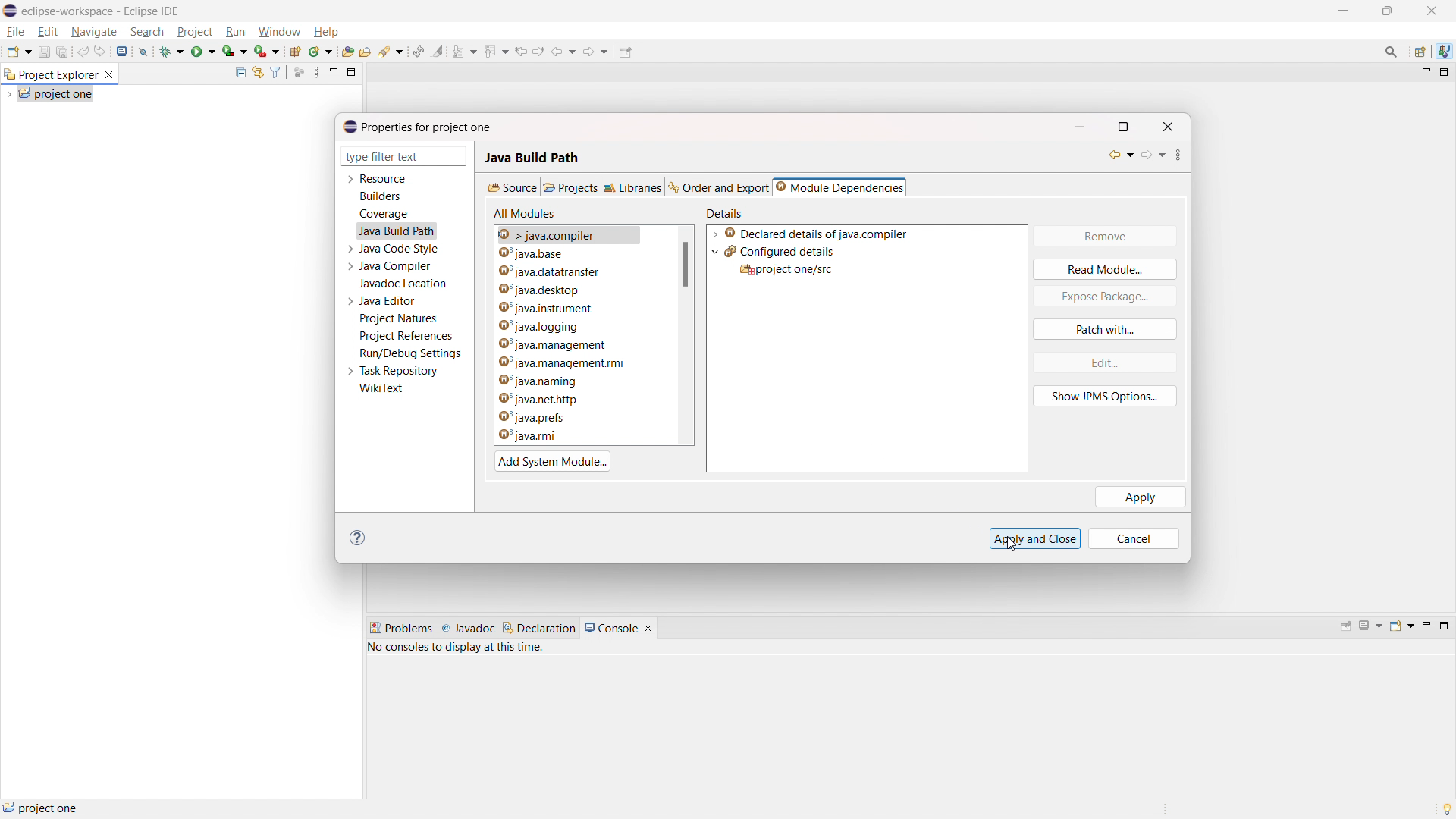 The width and height of the screenshot is (1456, 819). Describe the element at coordinates (566, 381) in the screenshot. I see `java.naming` at that location.